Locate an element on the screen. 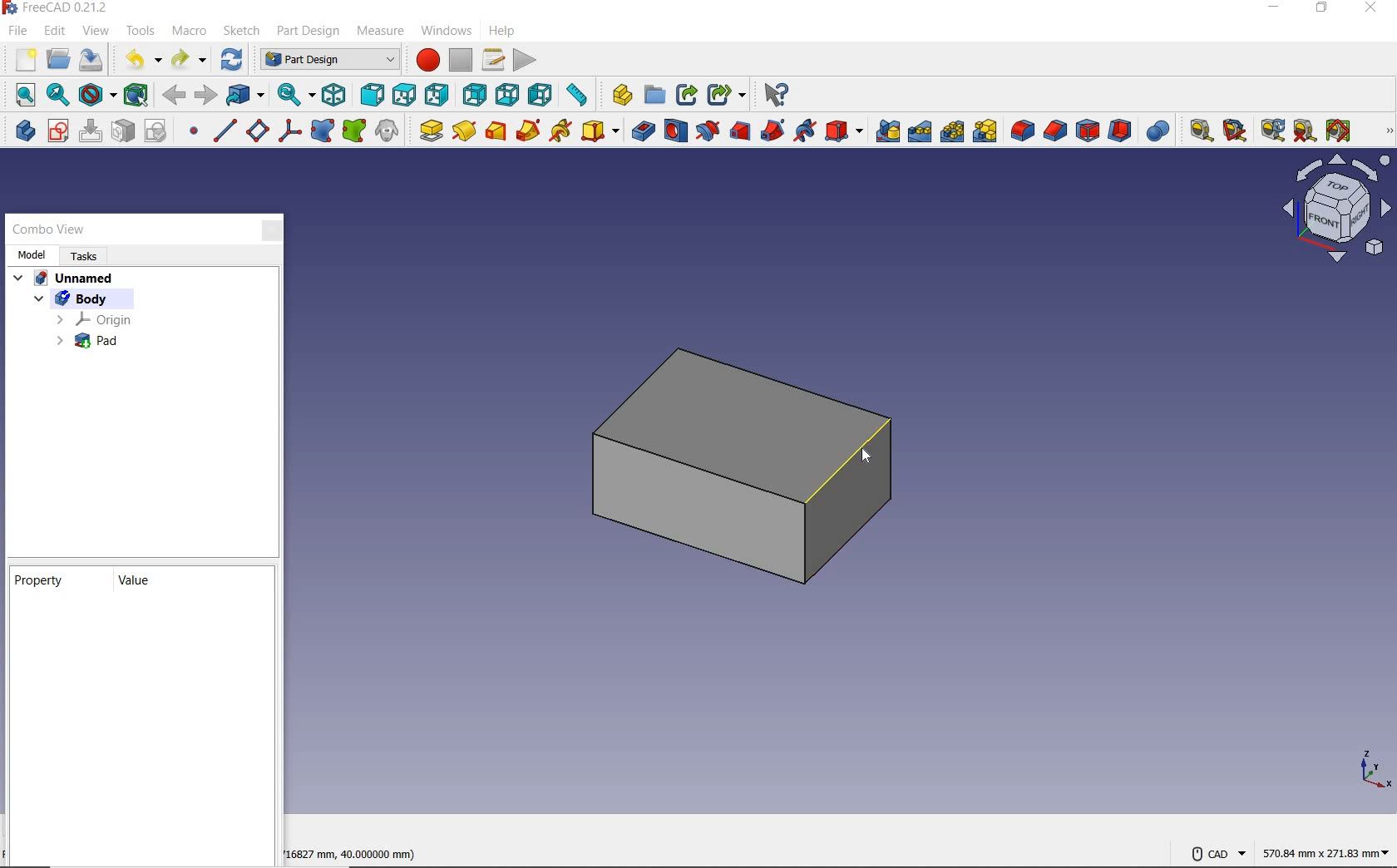 The height and width of the screenshot is (868, 1397). create a sub object shaped binder is located at coordinates (354, 131).